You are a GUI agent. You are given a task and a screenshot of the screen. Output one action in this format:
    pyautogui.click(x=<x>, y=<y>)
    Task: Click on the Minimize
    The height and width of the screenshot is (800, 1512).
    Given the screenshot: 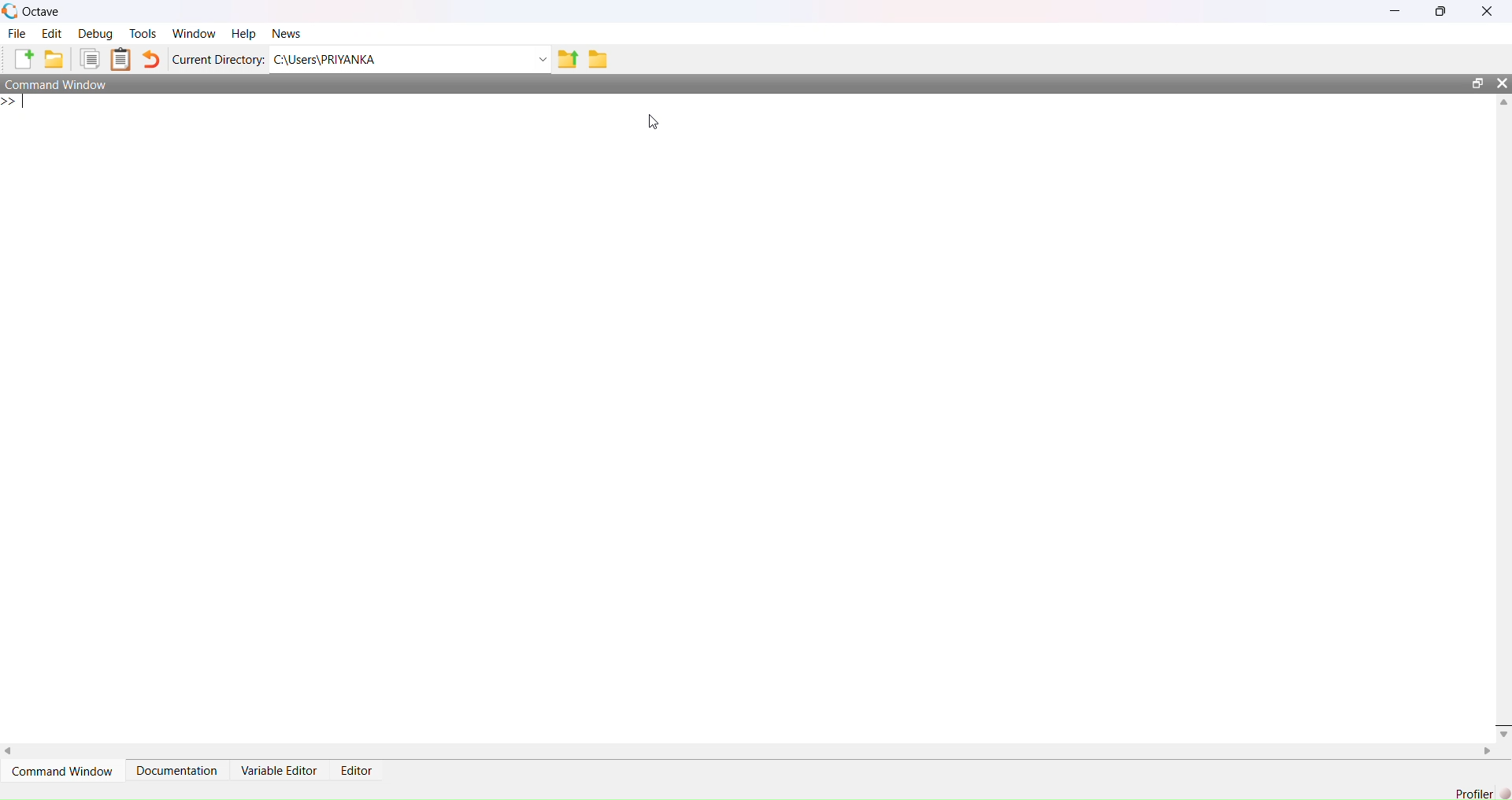 What is the action you would take?
    pyautogui.click(x=1399, y=12)
    